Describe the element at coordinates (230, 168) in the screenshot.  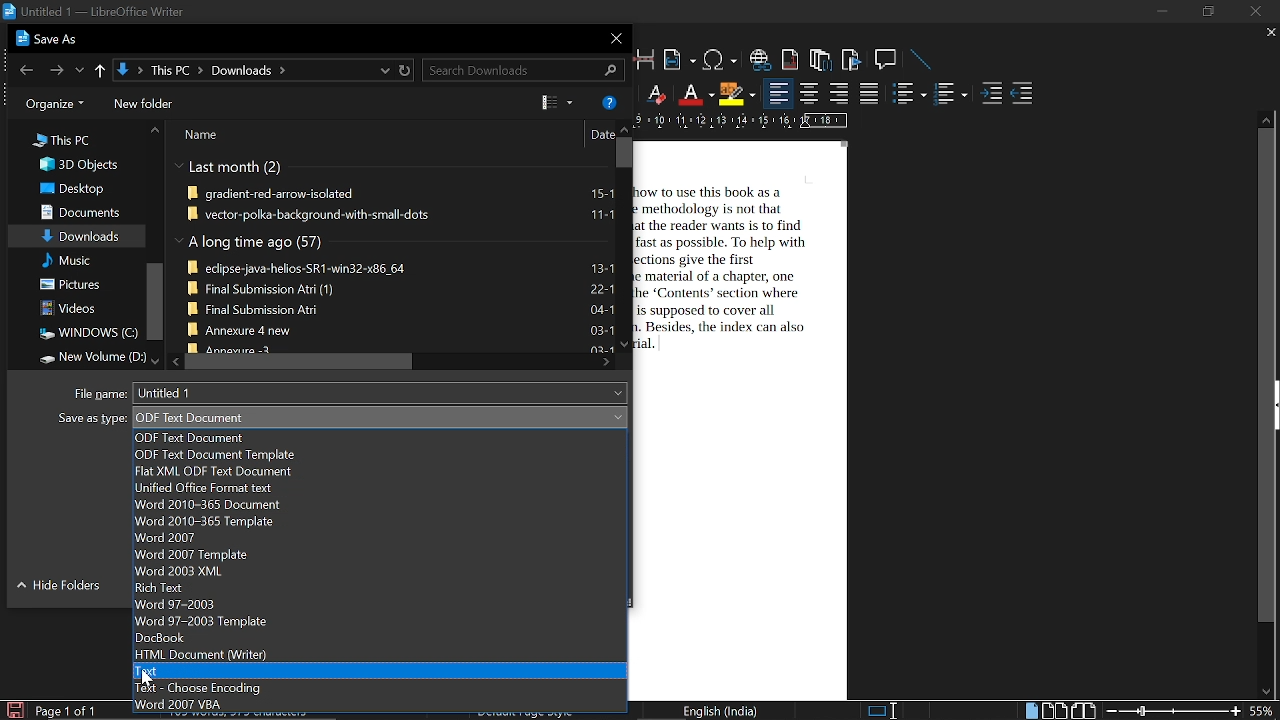
I see `Last month (2)` at that location.